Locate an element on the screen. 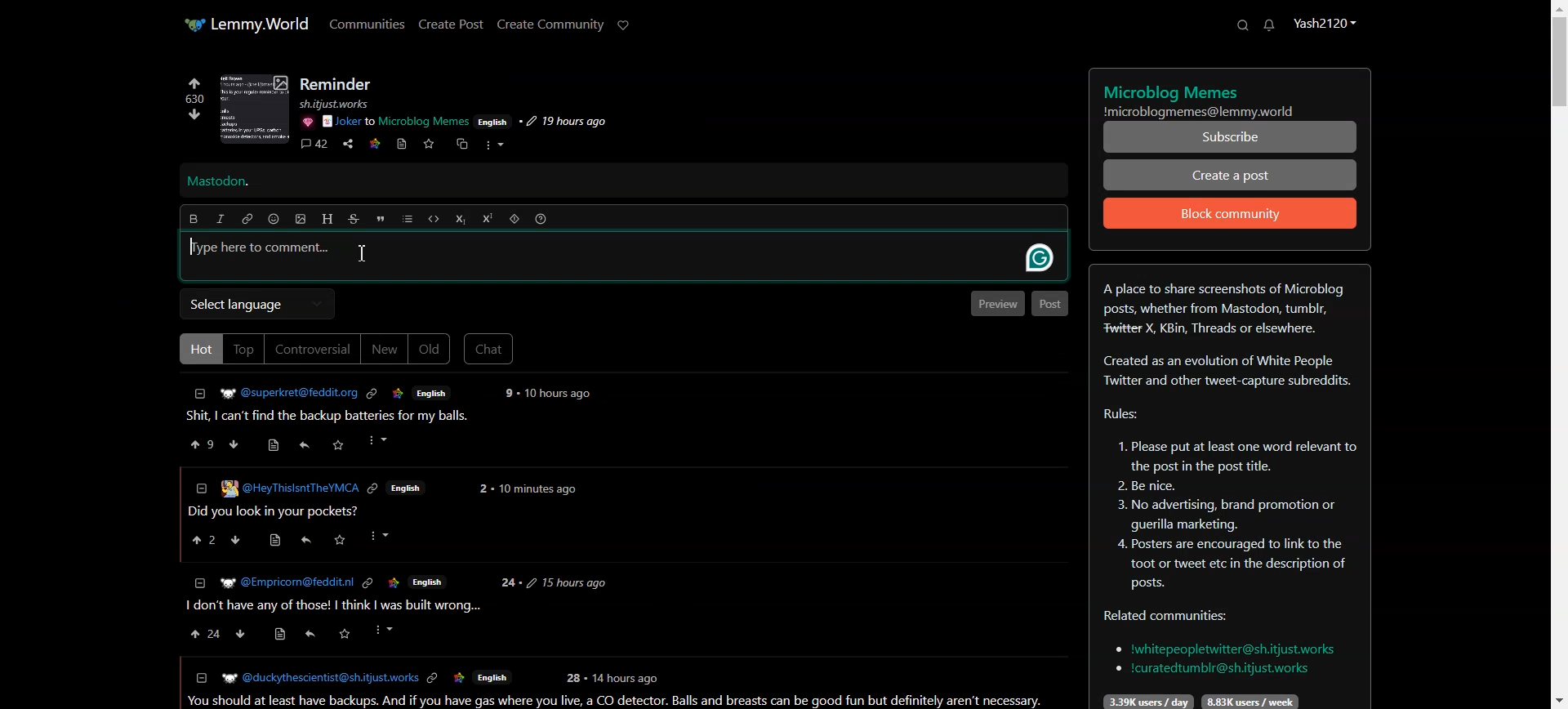  Subscribe is located at coordinates (1231, 137).